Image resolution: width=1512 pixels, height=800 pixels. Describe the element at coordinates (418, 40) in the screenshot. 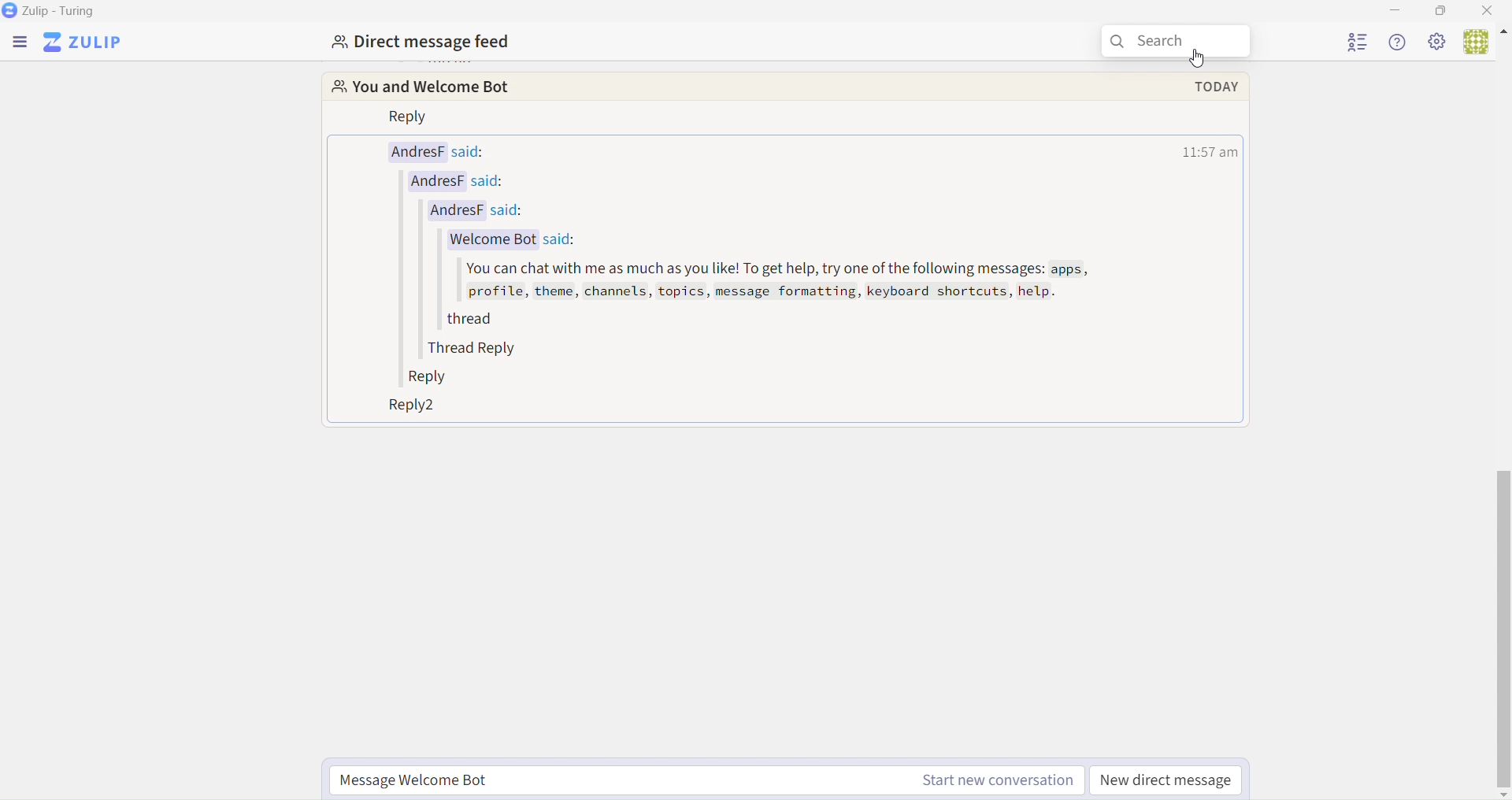

I see `Direct message Feed` at that location.